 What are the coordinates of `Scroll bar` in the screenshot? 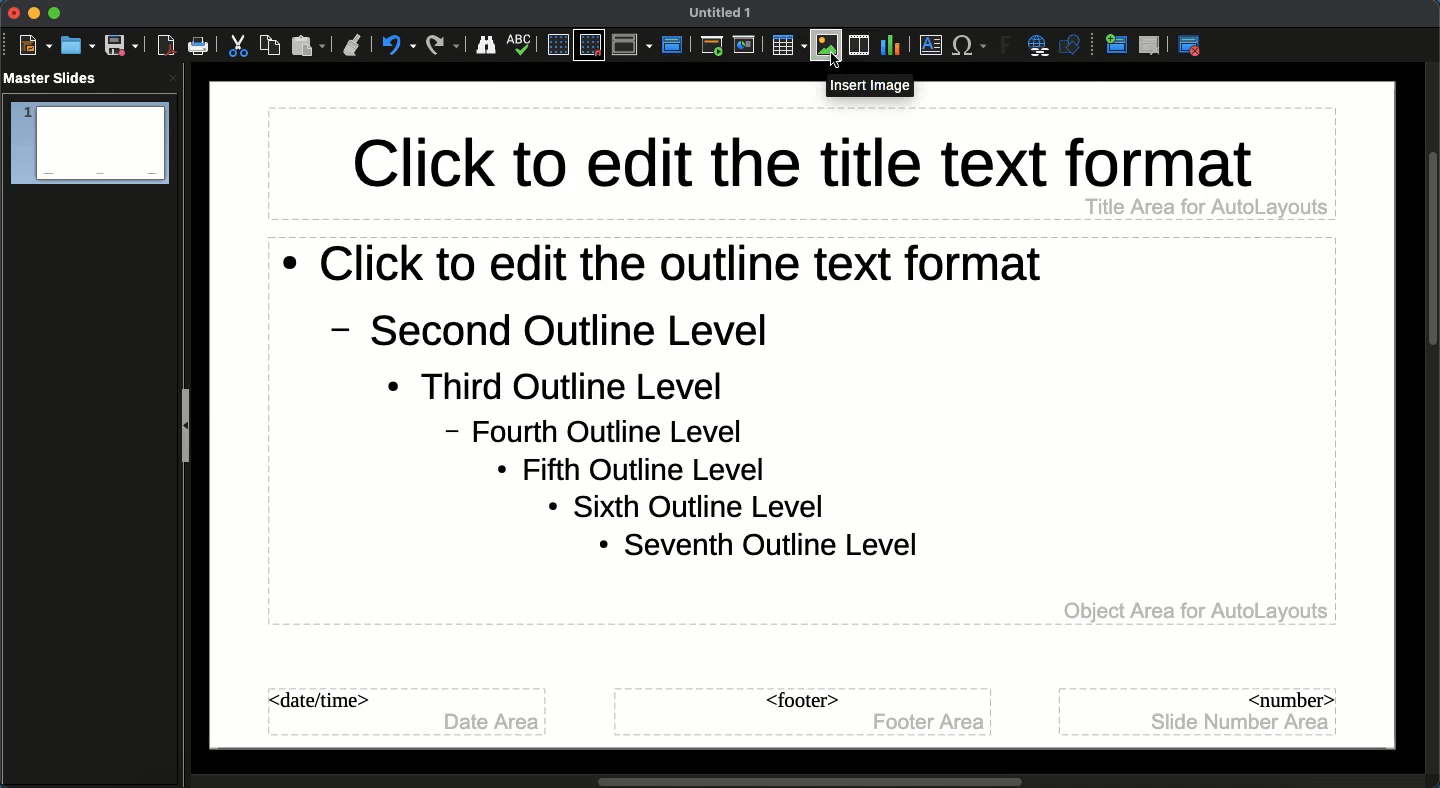 It's located at (1431, 249).